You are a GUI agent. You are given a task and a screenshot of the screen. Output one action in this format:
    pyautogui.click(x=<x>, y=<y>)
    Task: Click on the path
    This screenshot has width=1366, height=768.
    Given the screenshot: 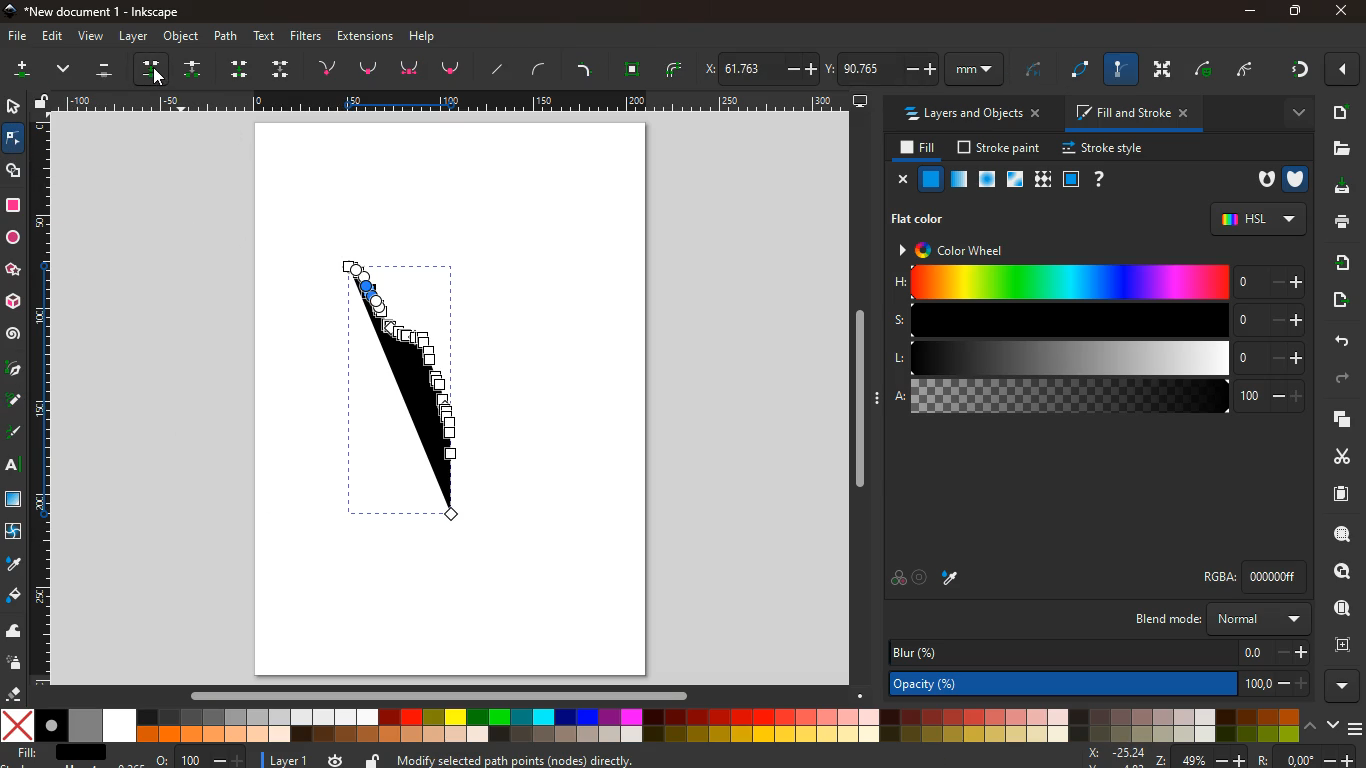 What is the action you would take?
    pyautogui.click(x=228, y=35)
    